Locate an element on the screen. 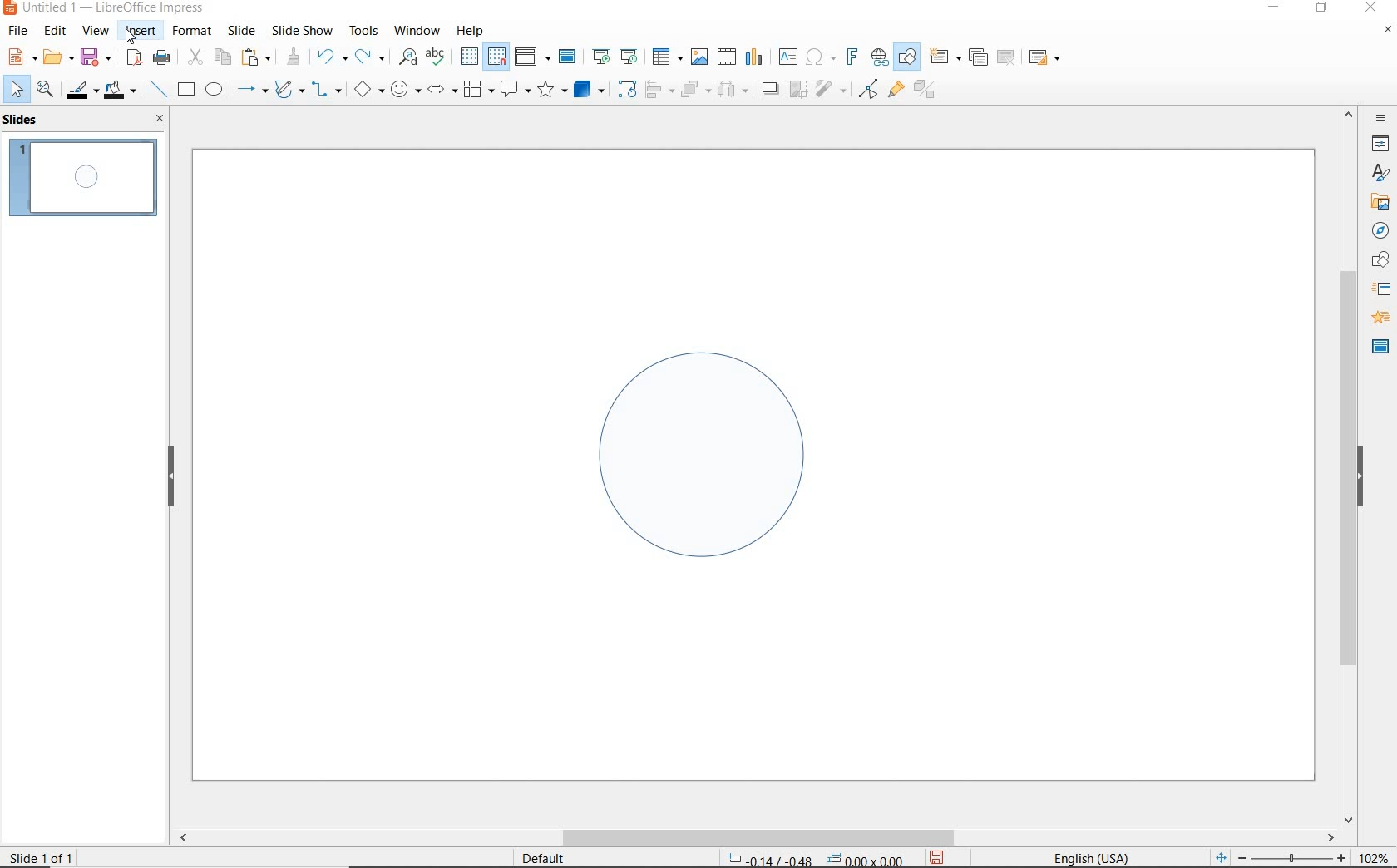 The height and width of the screenshot is (868, 1397). zoom & pan is located at coordinates (47, 91).